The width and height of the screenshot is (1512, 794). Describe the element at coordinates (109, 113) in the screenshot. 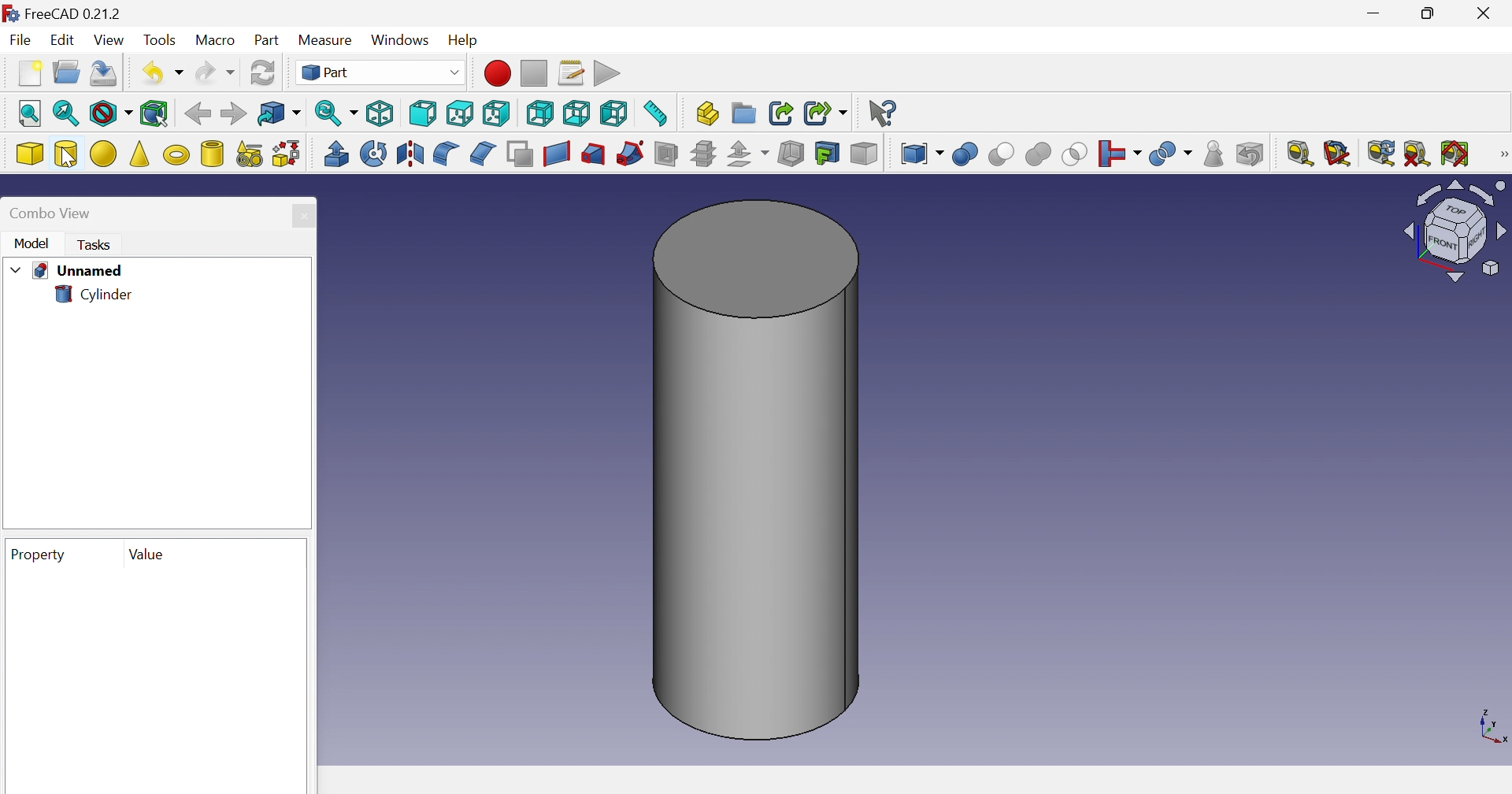

I see `Draw style` at that location.